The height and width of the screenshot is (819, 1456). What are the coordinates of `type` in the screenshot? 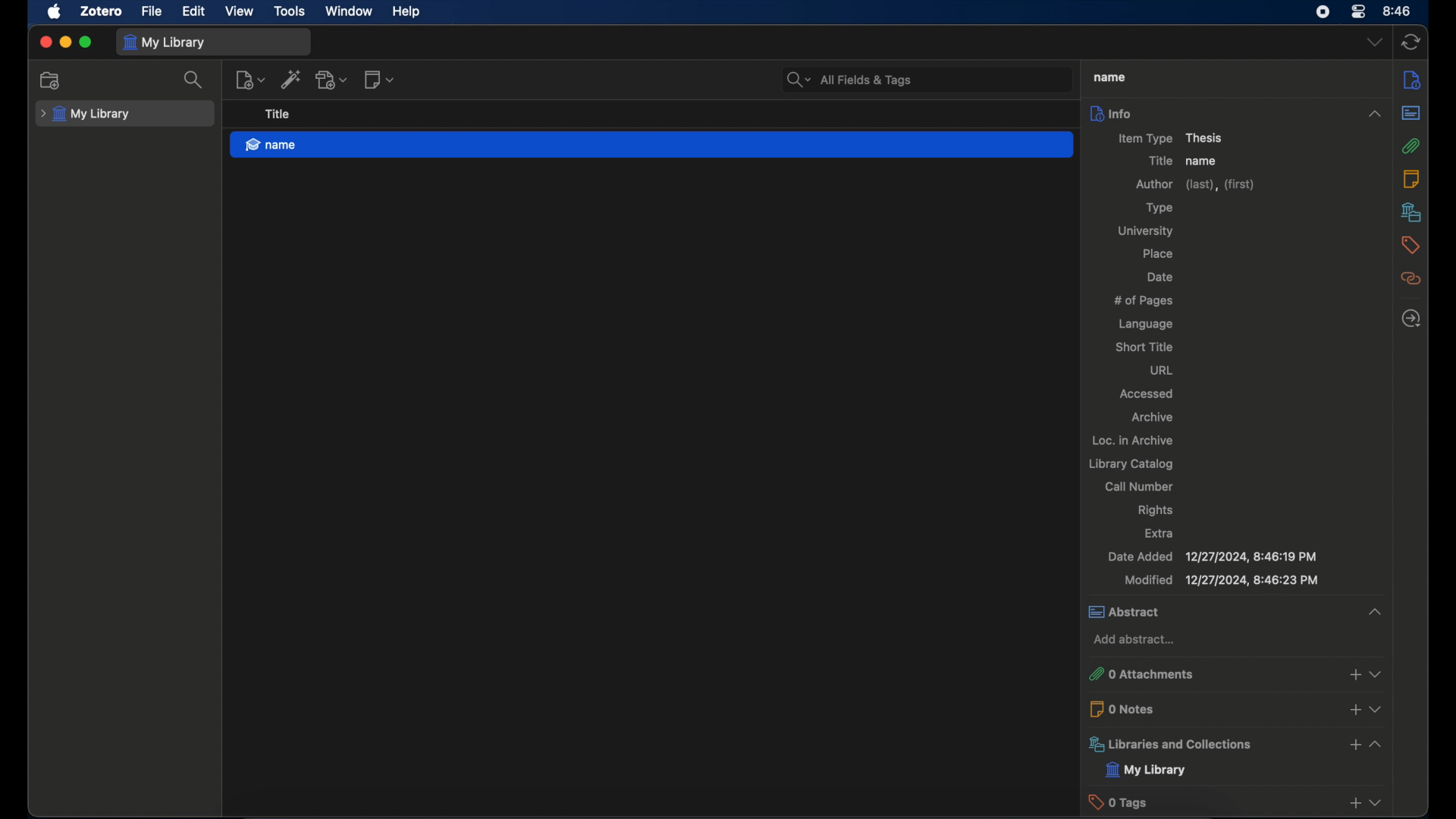 It's located at (1157, 209).